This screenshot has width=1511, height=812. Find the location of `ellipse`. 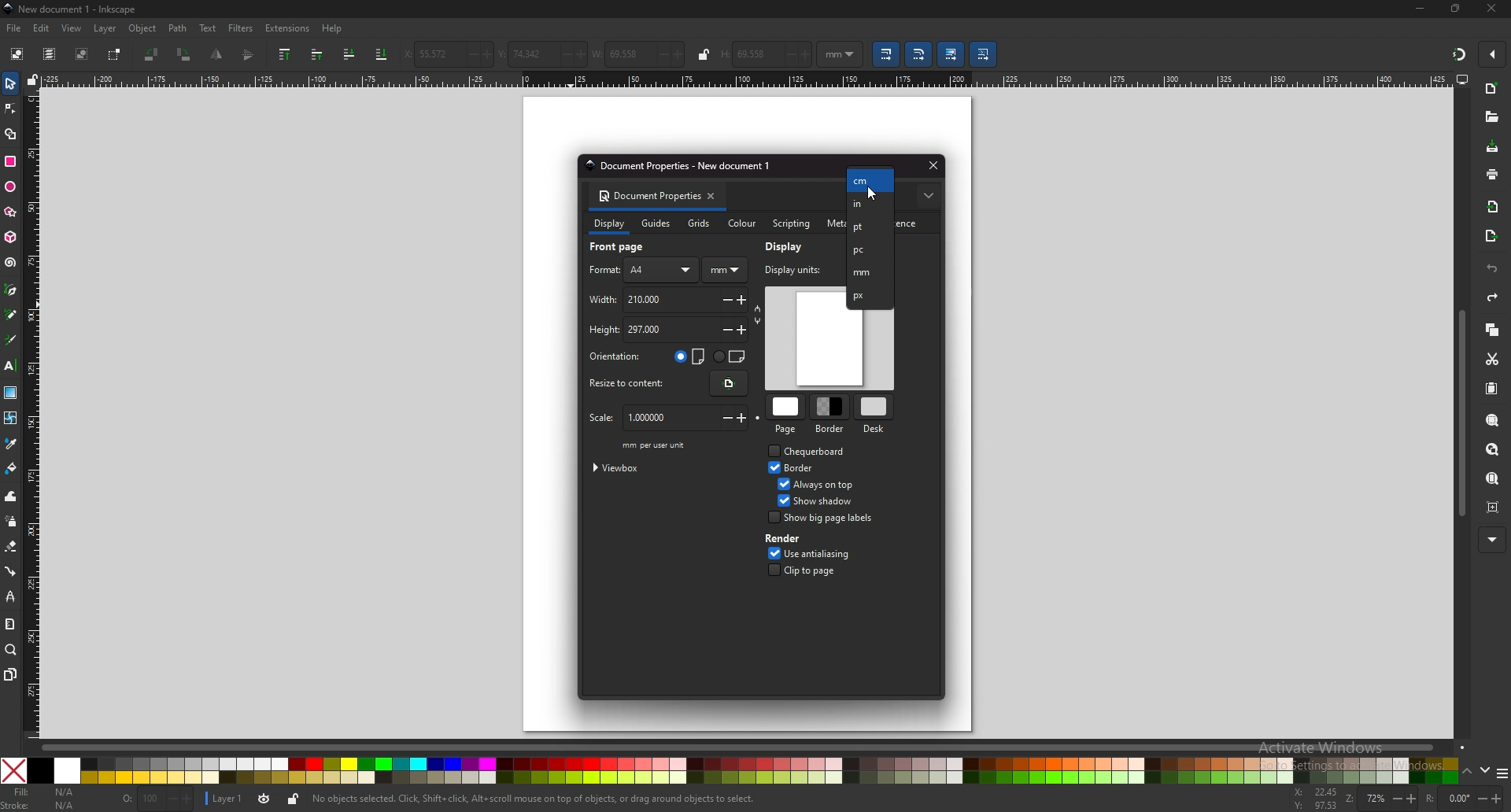

ellipse is located at coordinates (10, 186).